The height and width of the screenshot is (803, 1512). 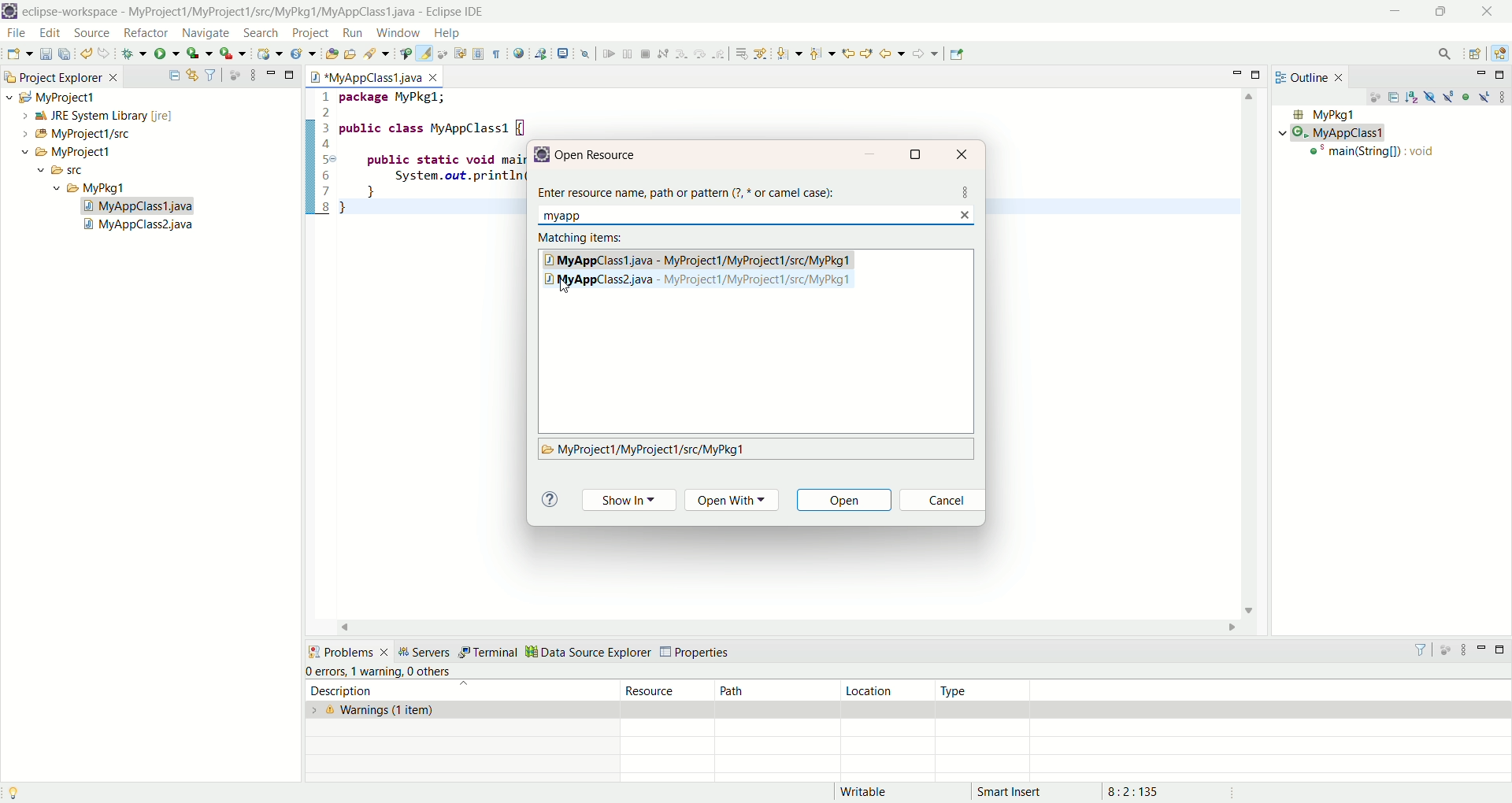 I want to click on resource, so click(x=669, y=690).